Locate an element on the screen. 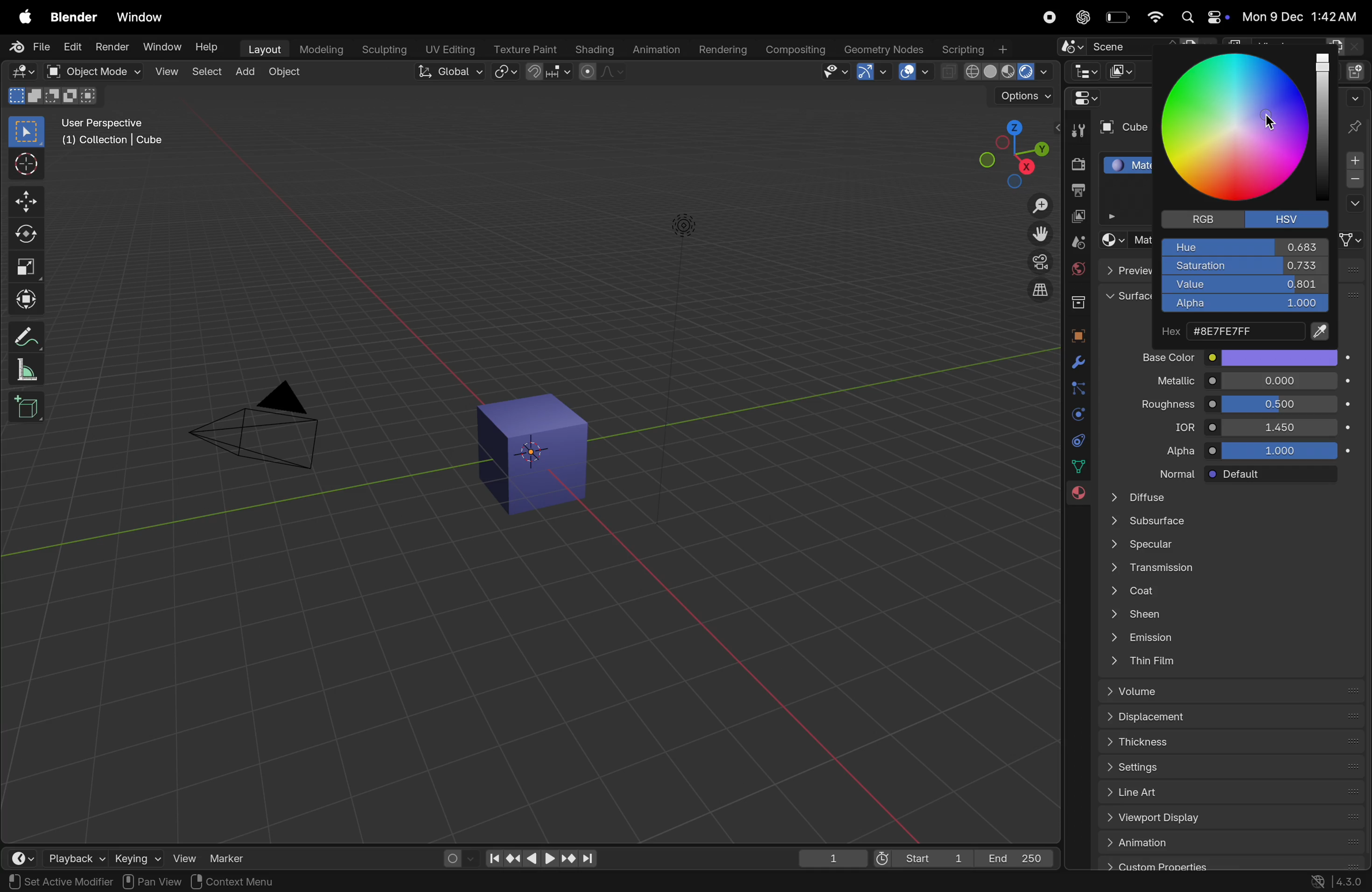 The image size is (1372, 892). visibility is located at coordinates (835, 71).